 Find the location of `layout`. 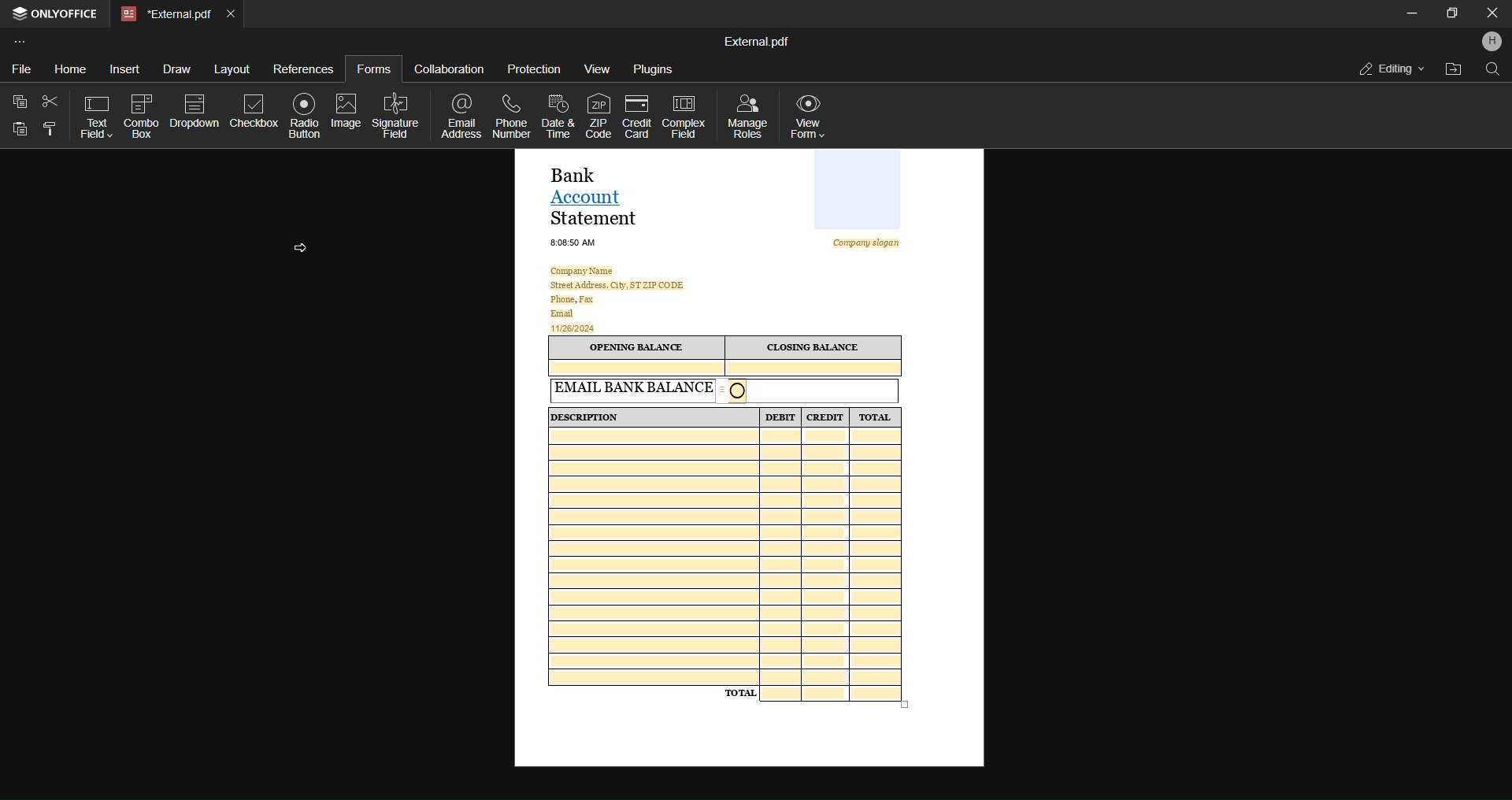

layout is located at coordinates (233, 68).